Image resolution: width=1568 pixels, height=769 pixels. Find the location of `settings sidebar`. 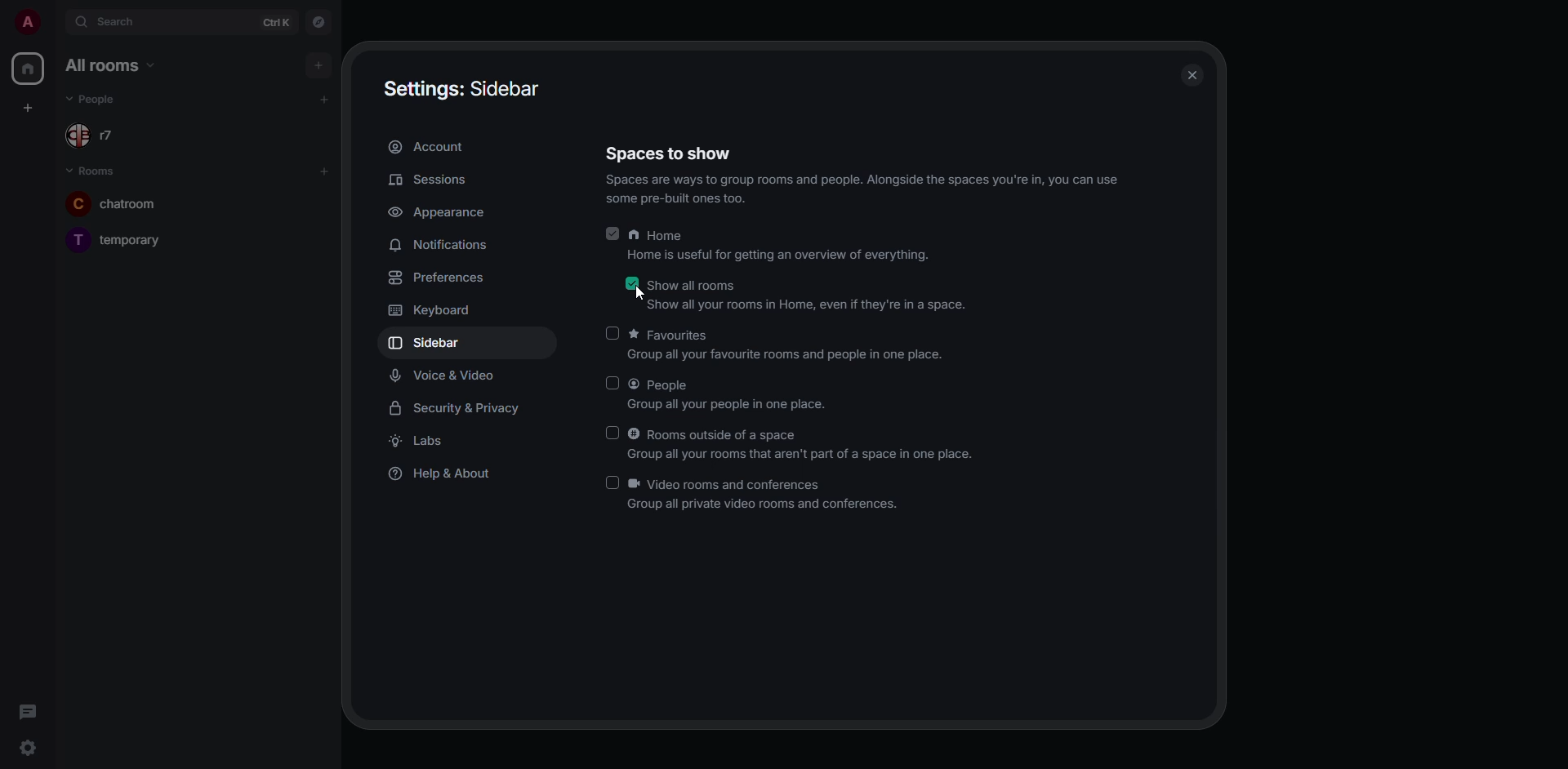

settings sidebar is located at coordinates (467, 87).